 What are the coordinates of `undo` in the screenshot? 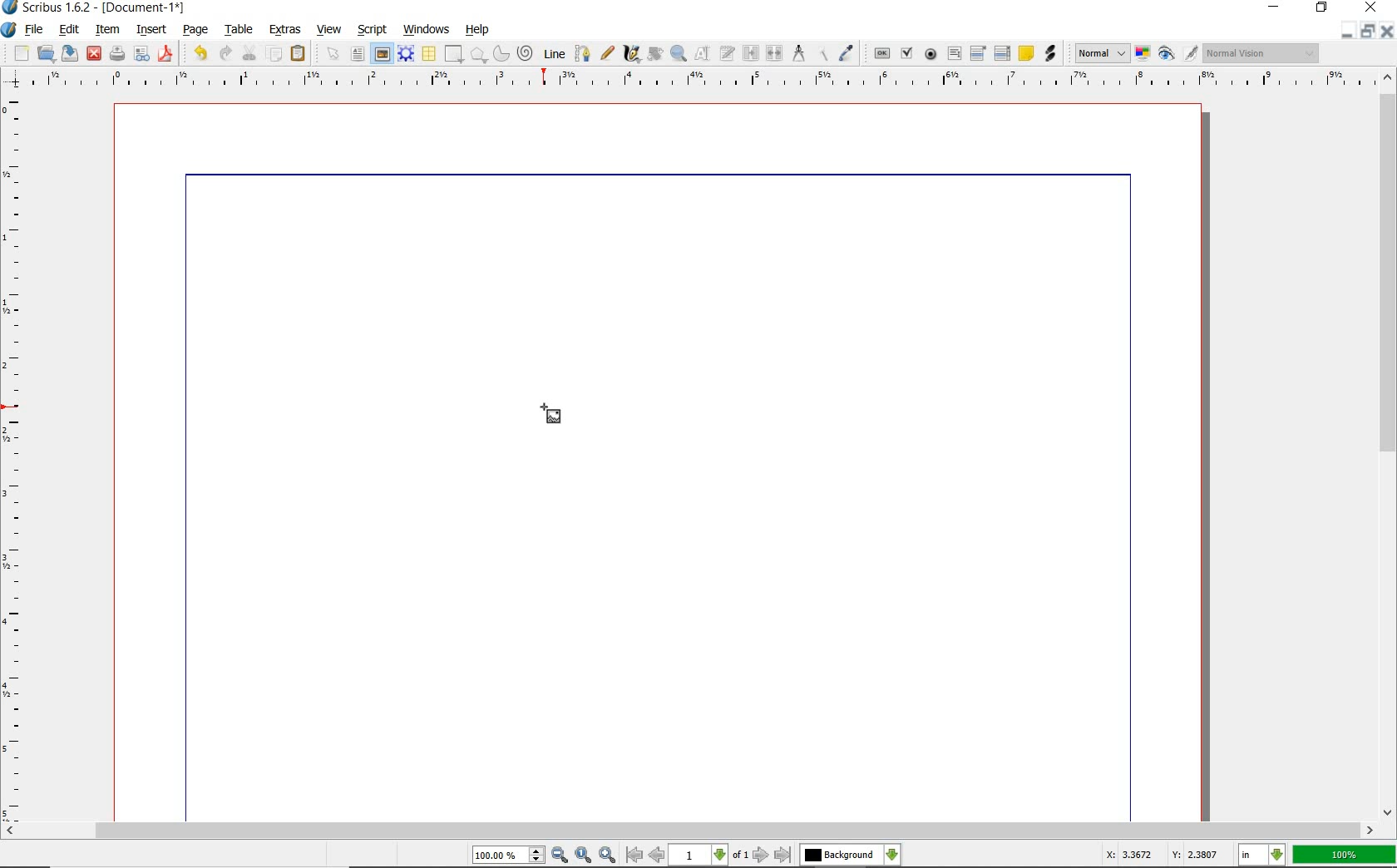 It's located at (200, 52).